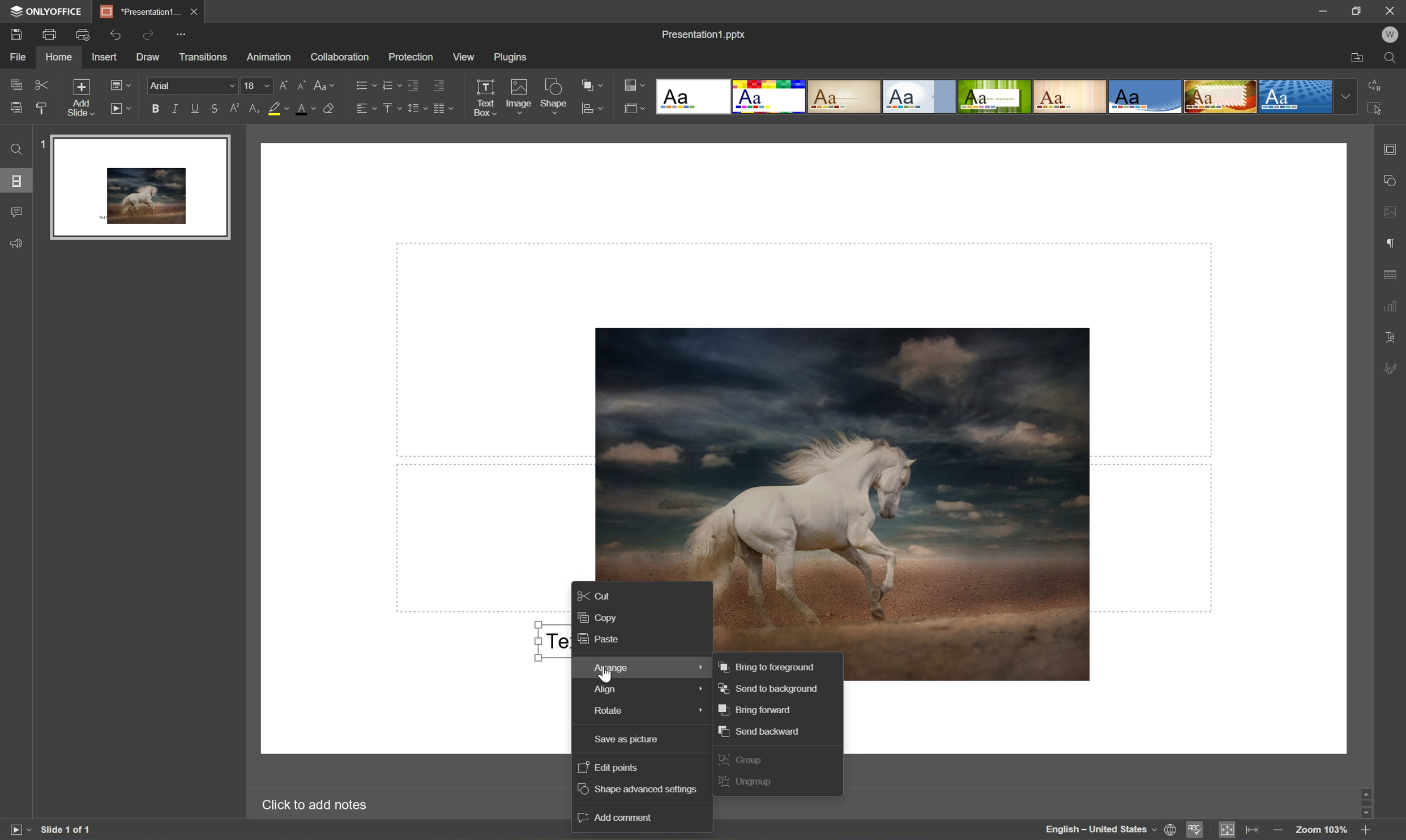 This screenshot has height=840, width=1406. Describe the element at coordinates (194, 109) in the screenshot. I see `Underline` at that location.